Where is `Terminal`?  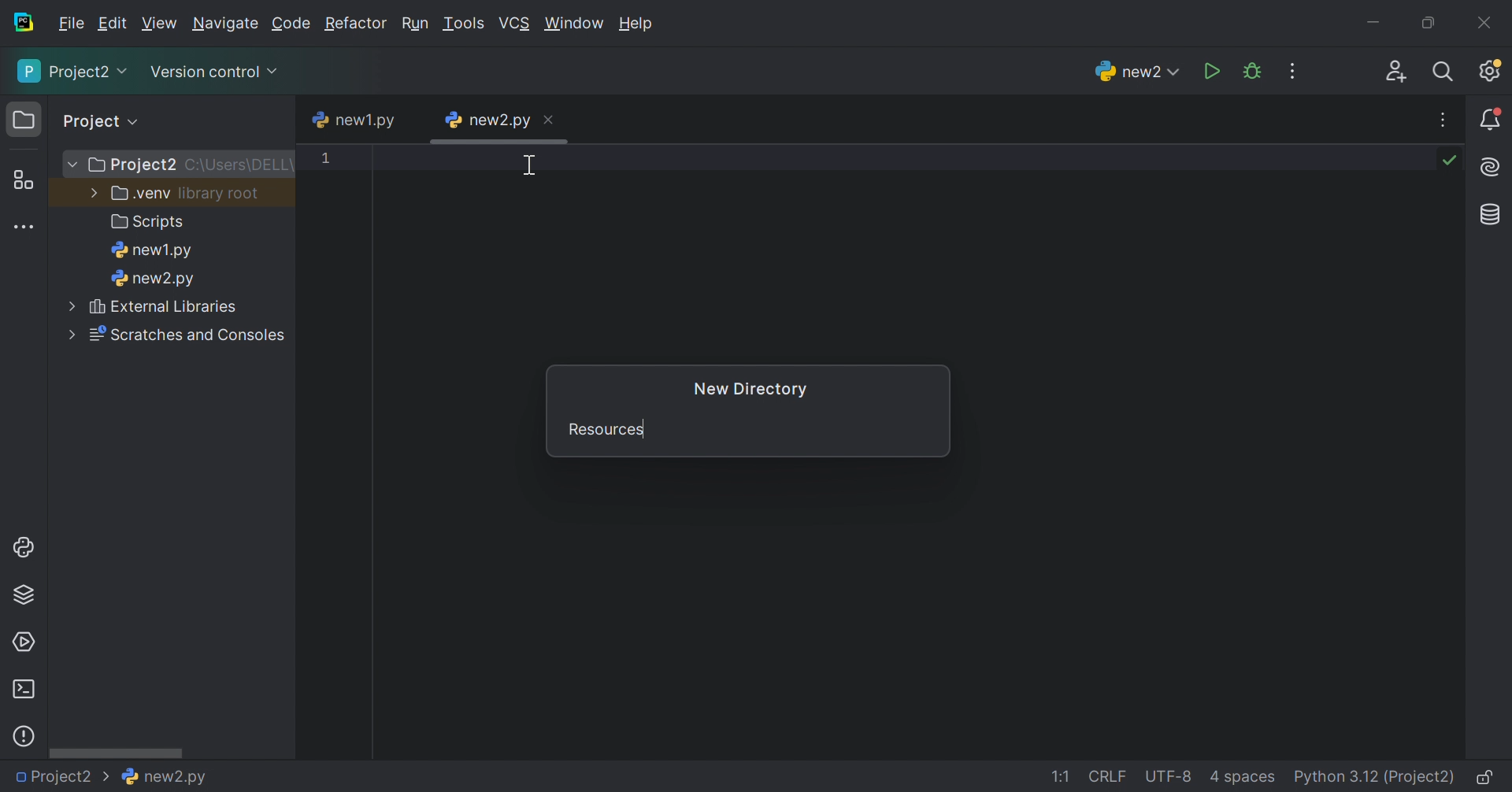 Terminal is located at coordinates (24, 690).